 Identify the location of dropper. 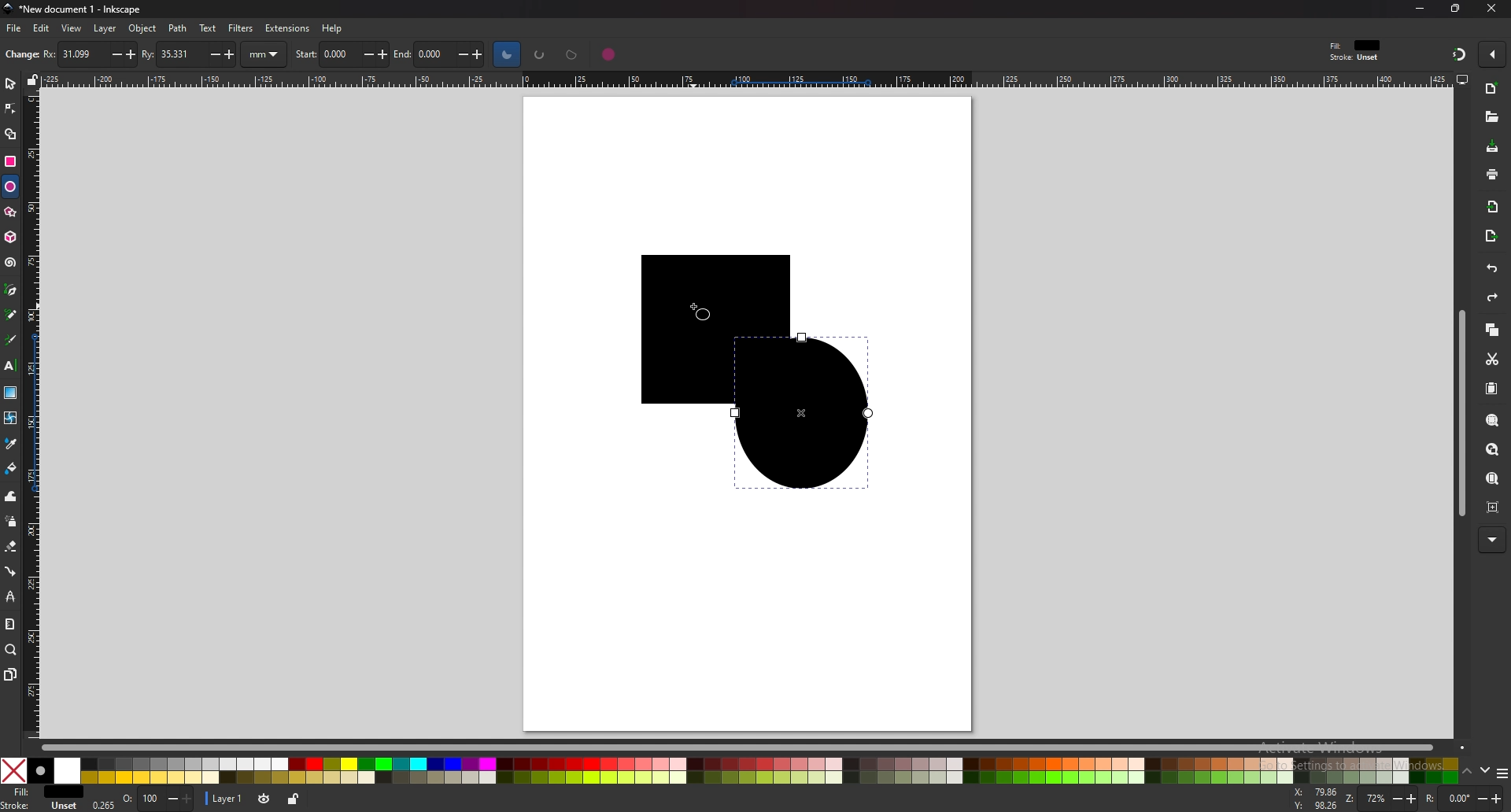
(12, 445).